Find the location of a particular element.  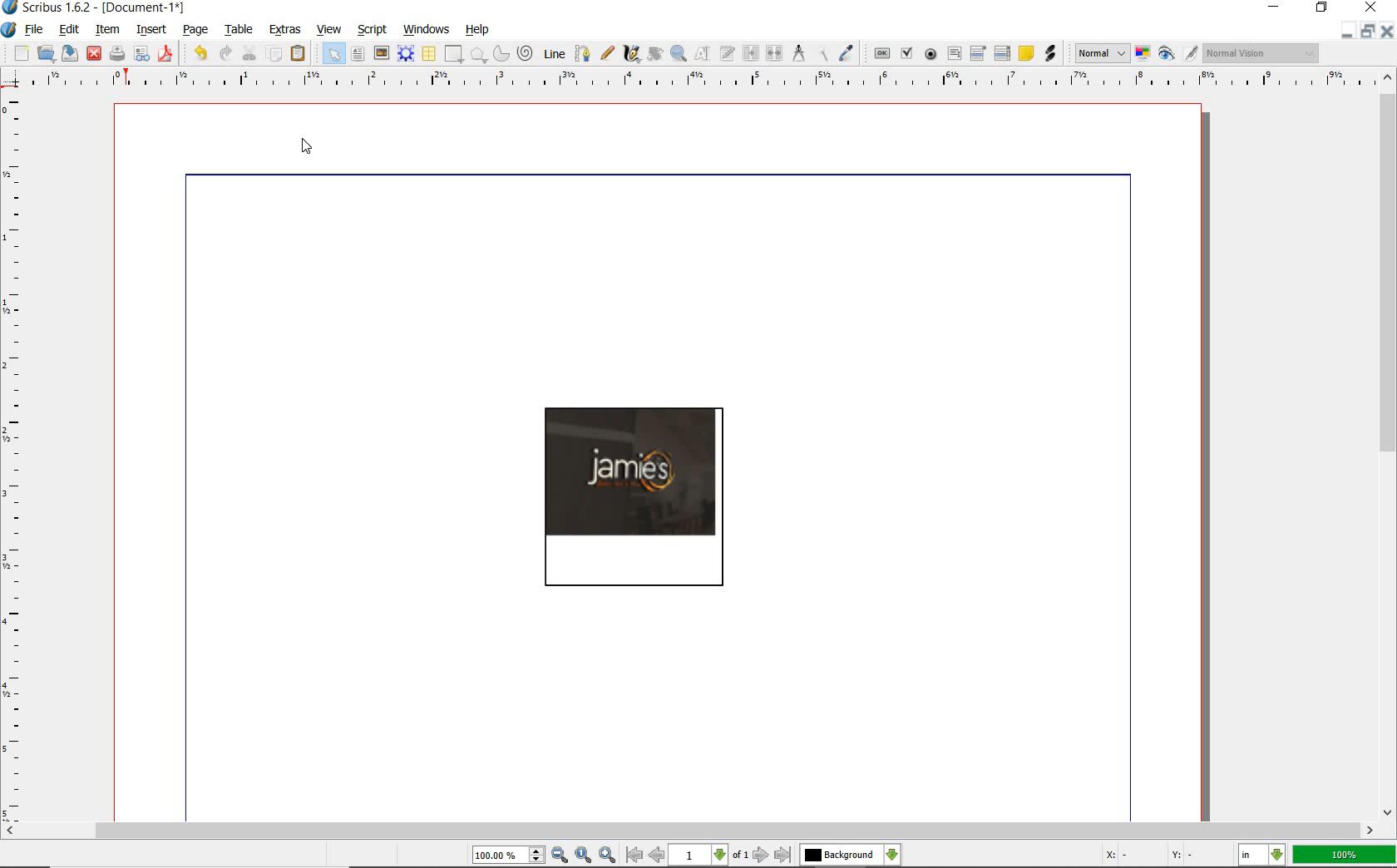

text frame is located at coordinates (356, 55).